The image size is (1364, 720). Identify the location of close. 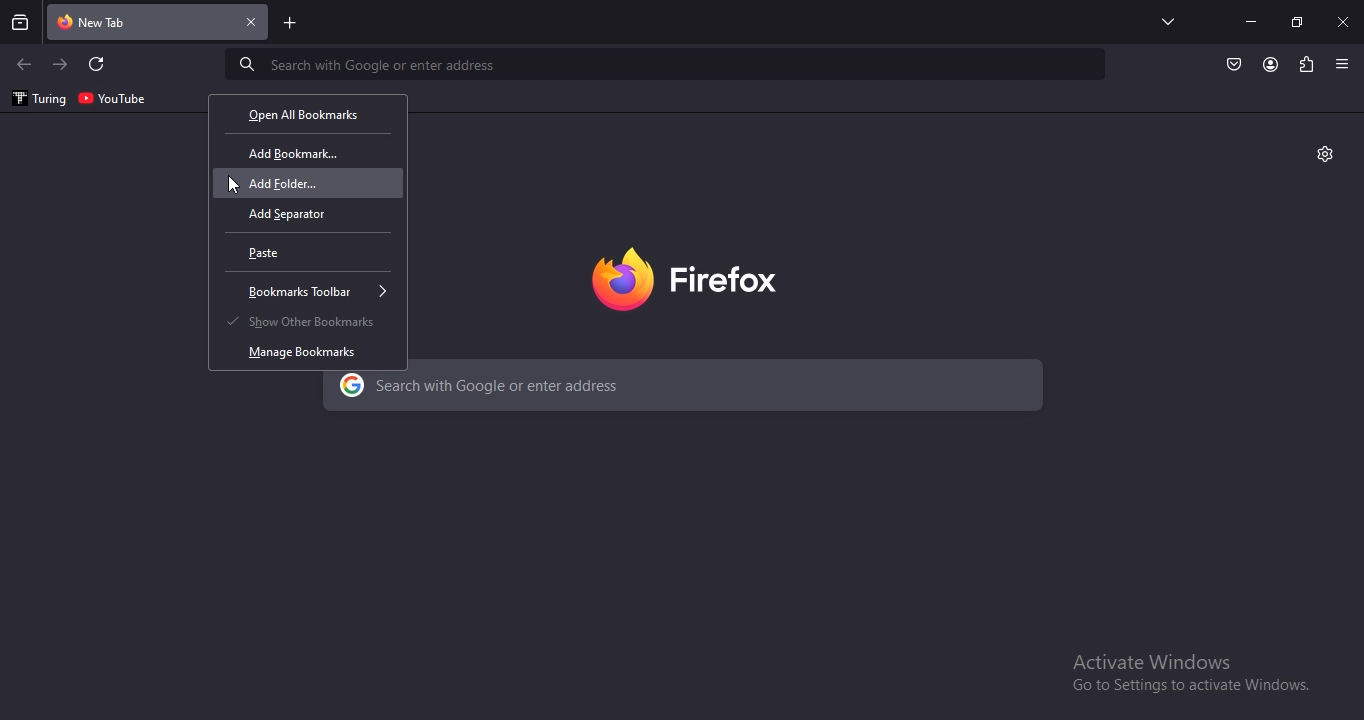
(1345, 21).